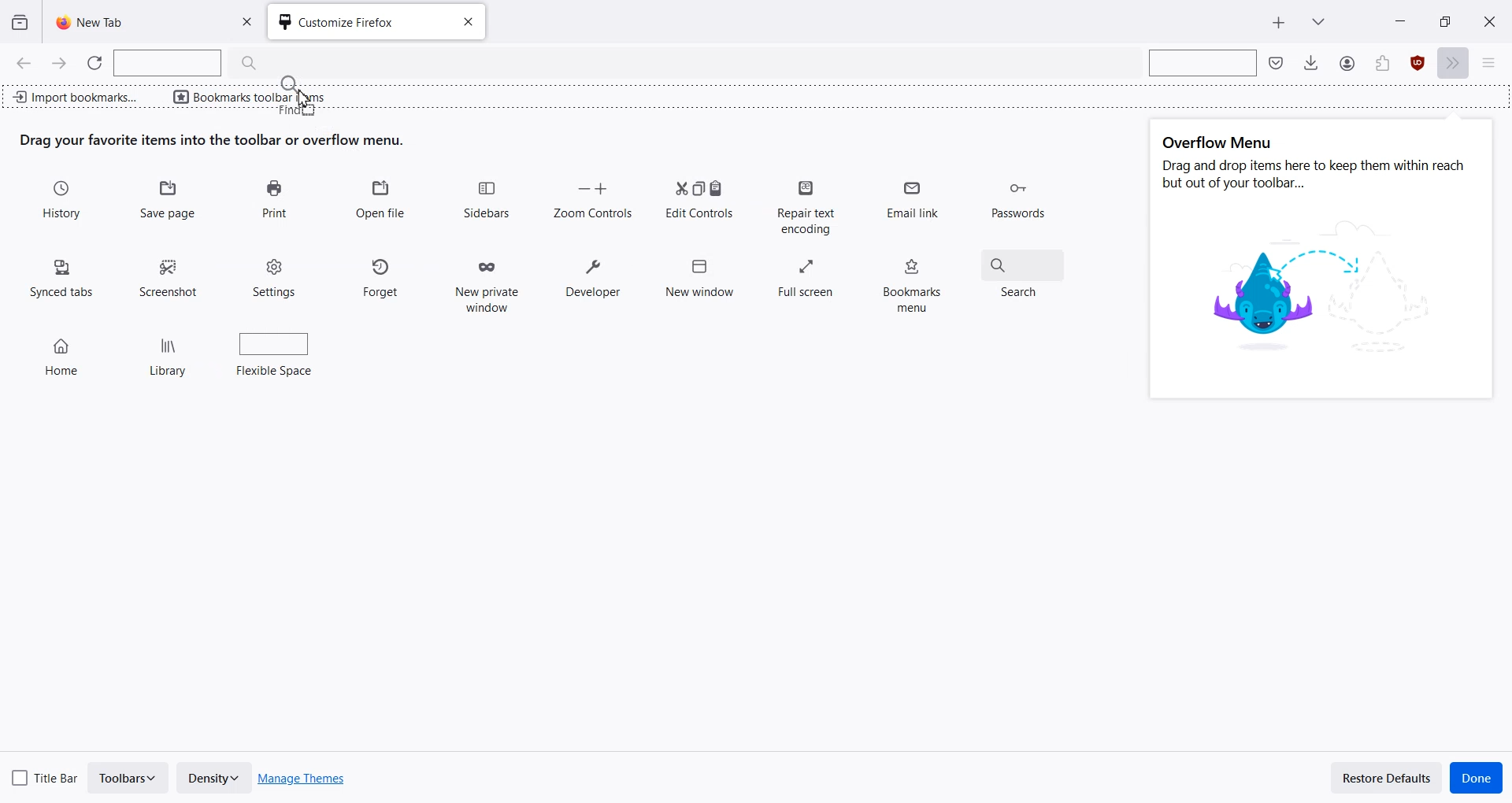  What do you see at coordinates (1025, 271) in the screenshot?
I see `Search` at bounding box center [1025, 271].